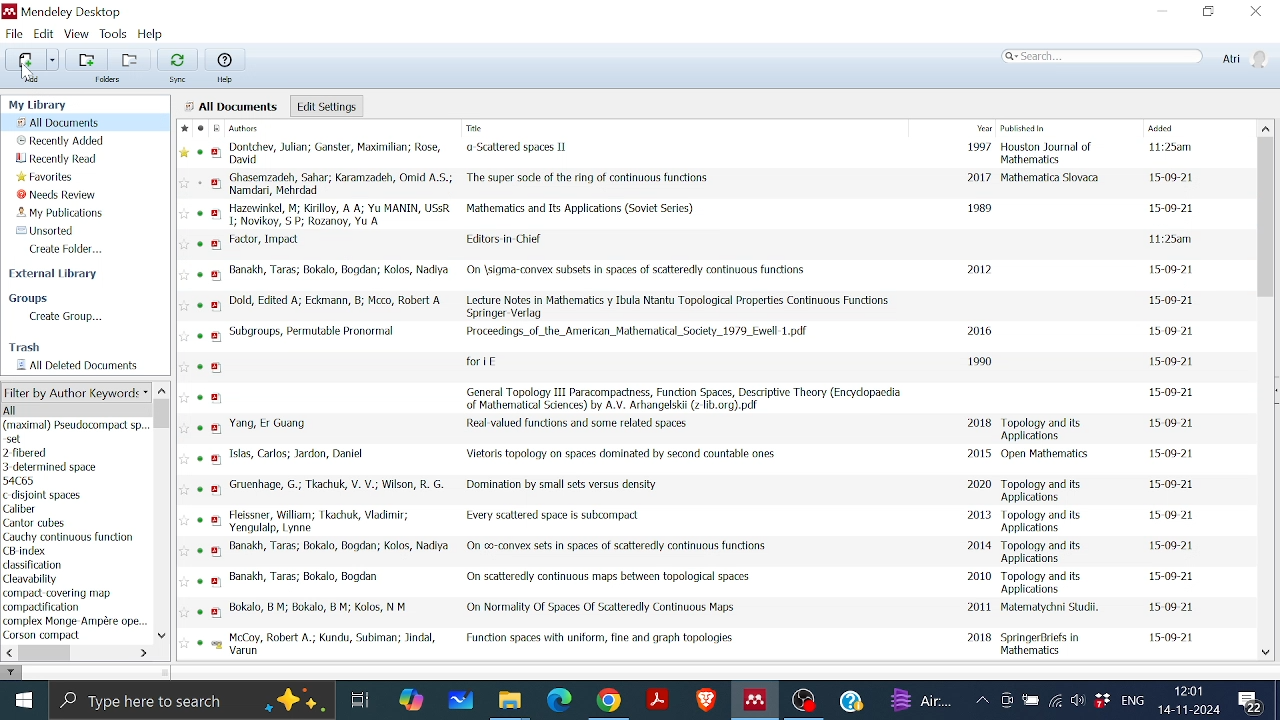 This screenshot has width=1280, height=720. What do you see at coordinates (186, 367) in the screenshot?
I see `Favourite` at bounding box center [186, 367].